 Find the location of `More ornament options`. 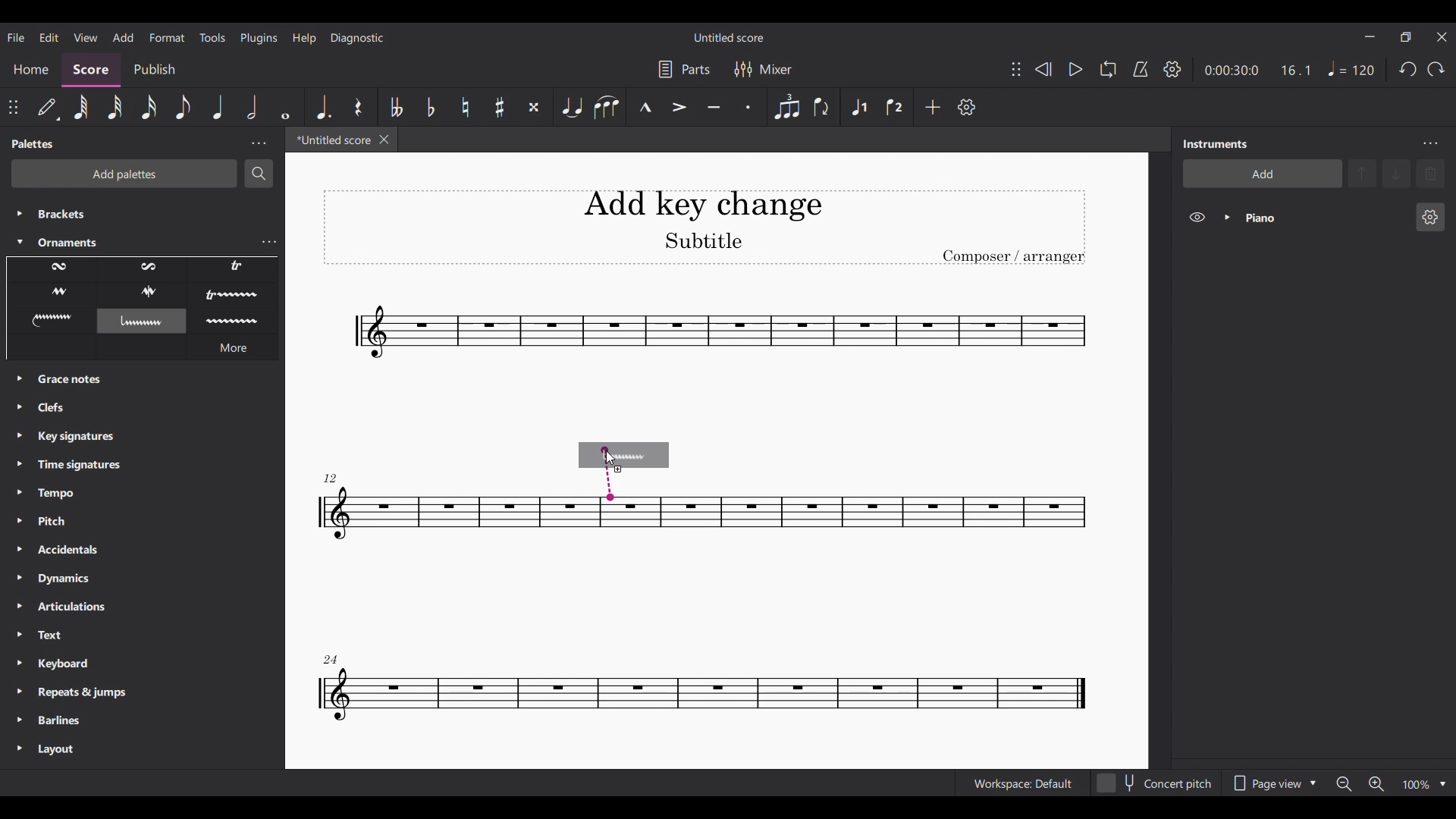

More ornament options is located at coordinates (233, 347).